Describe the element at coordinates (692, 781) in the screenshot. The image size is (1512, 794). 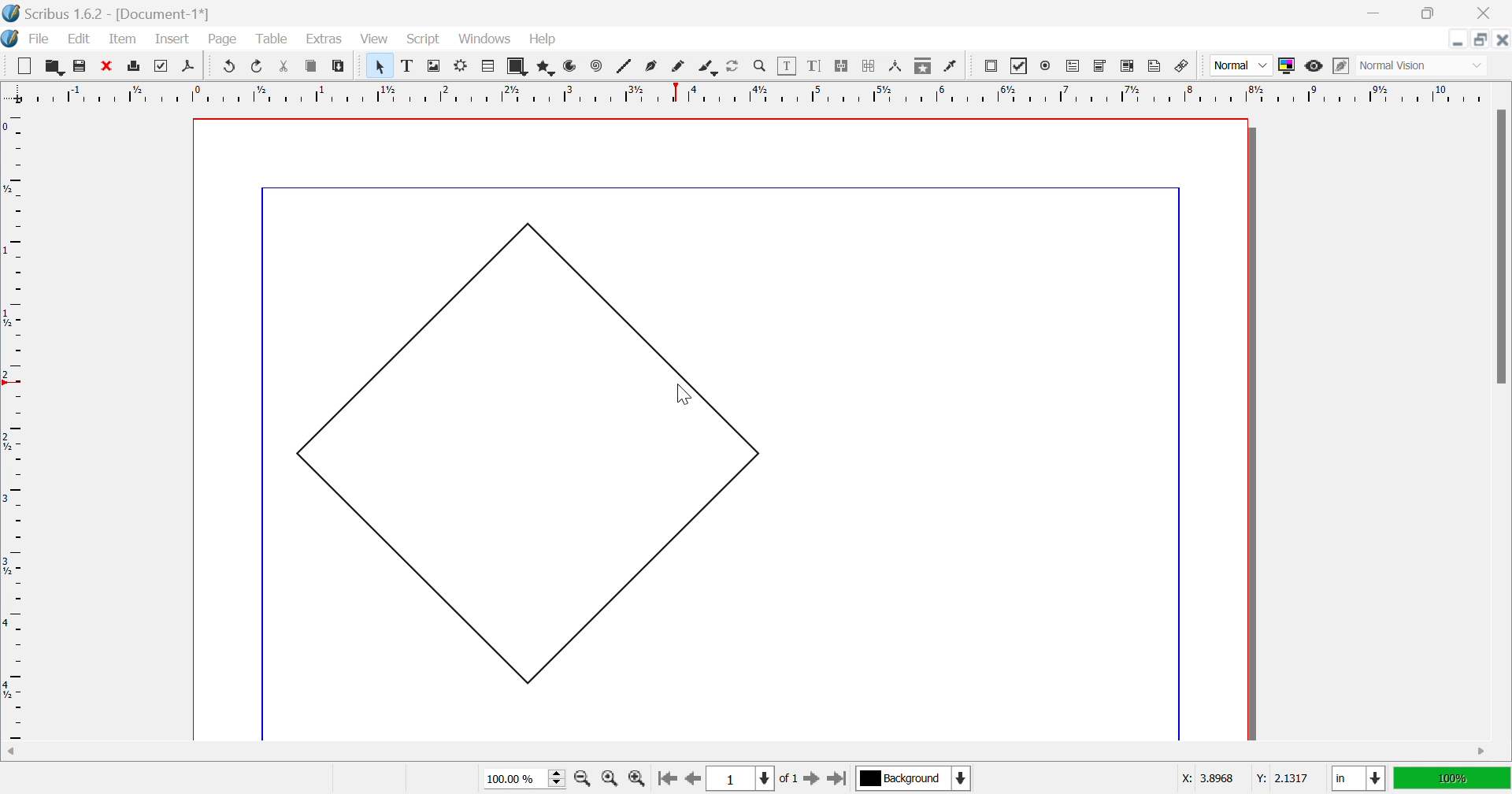
I see `Go to the previous page` at that location.